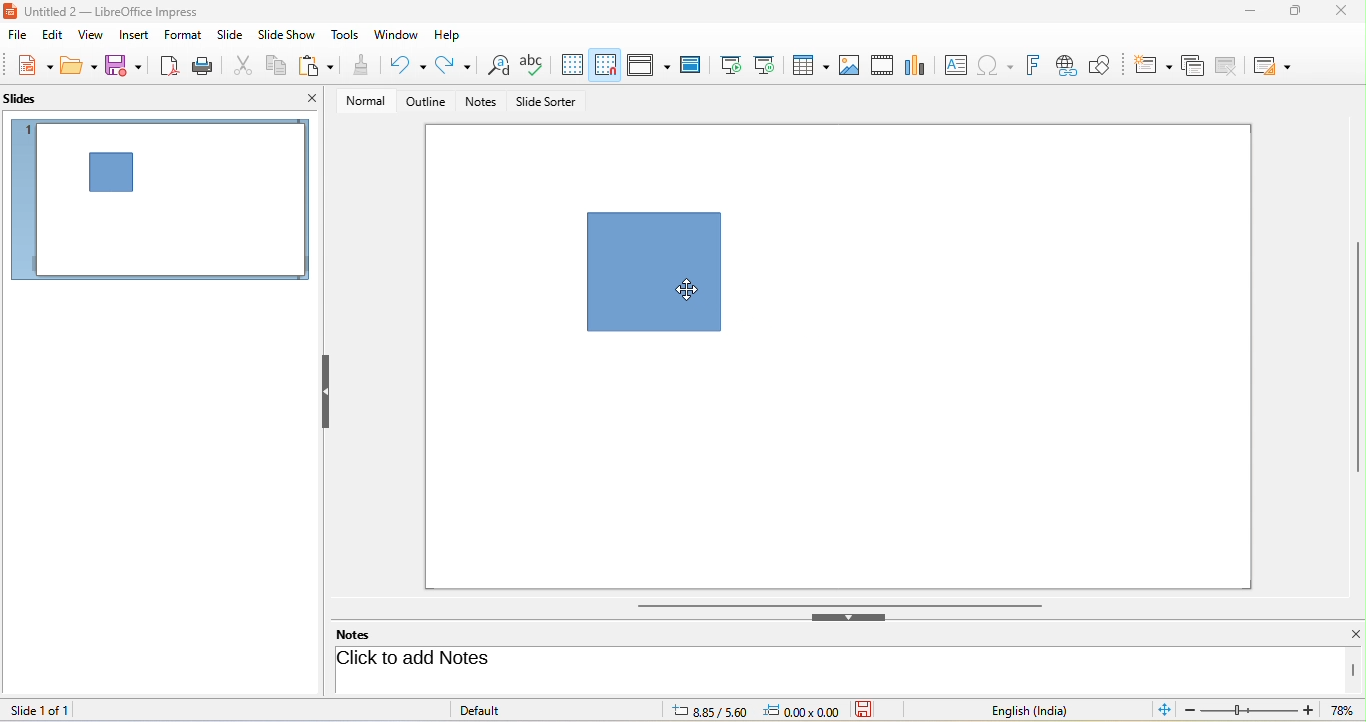 The image size is (1366, 722). Describe the element at coordinates (51, 36) in the screenshot. I see `edit` at that location.